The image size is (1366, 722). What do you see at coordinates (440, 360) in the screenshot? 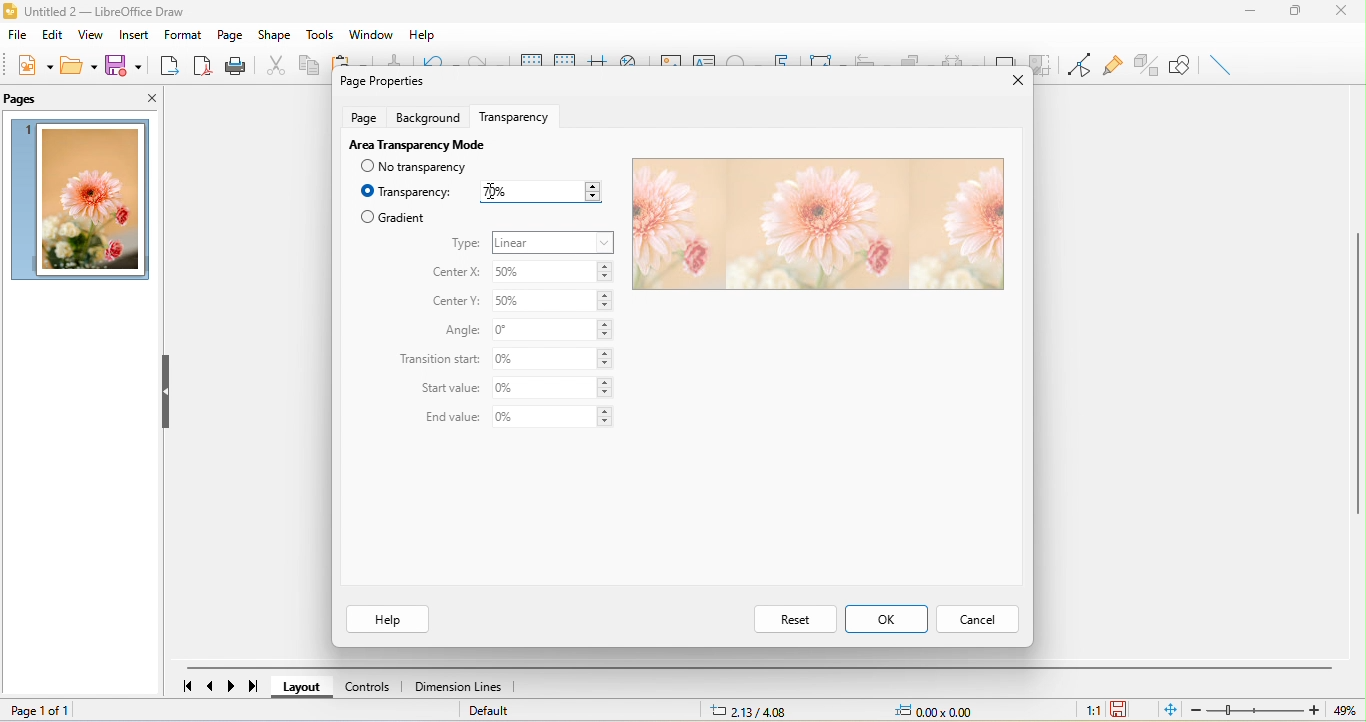
I see `transition start` at bounding box center [440, 360].